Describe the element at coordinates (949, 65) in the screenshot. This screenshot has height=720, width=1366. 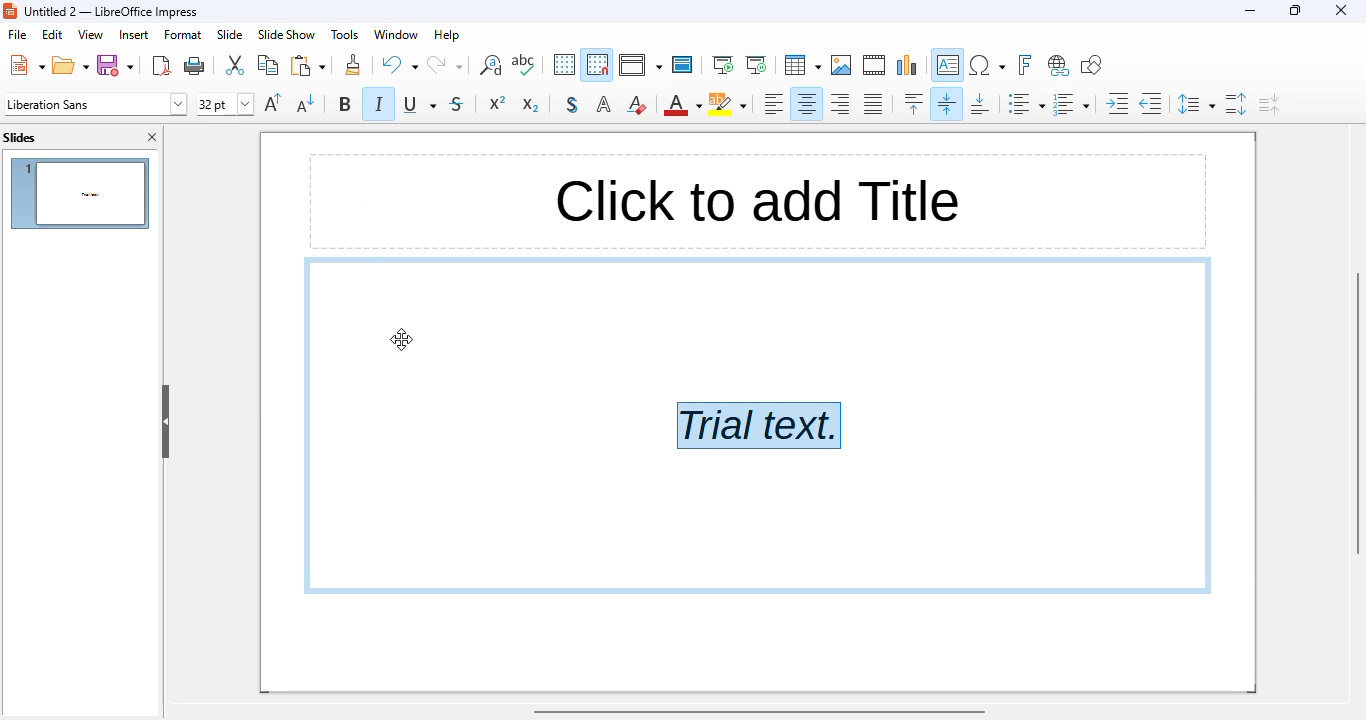
I see `insert text box` at that location.